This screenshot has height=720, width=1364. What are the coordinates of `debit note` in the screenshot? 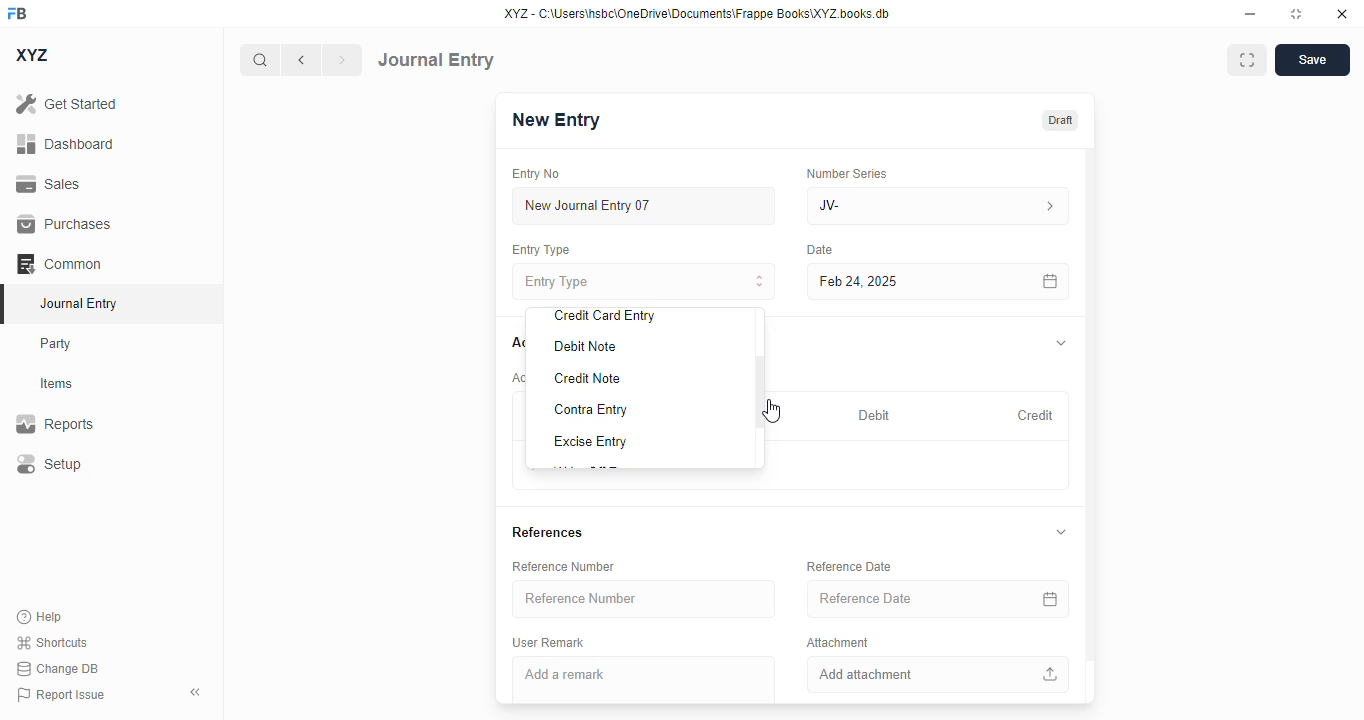 It's located at (586, 347).